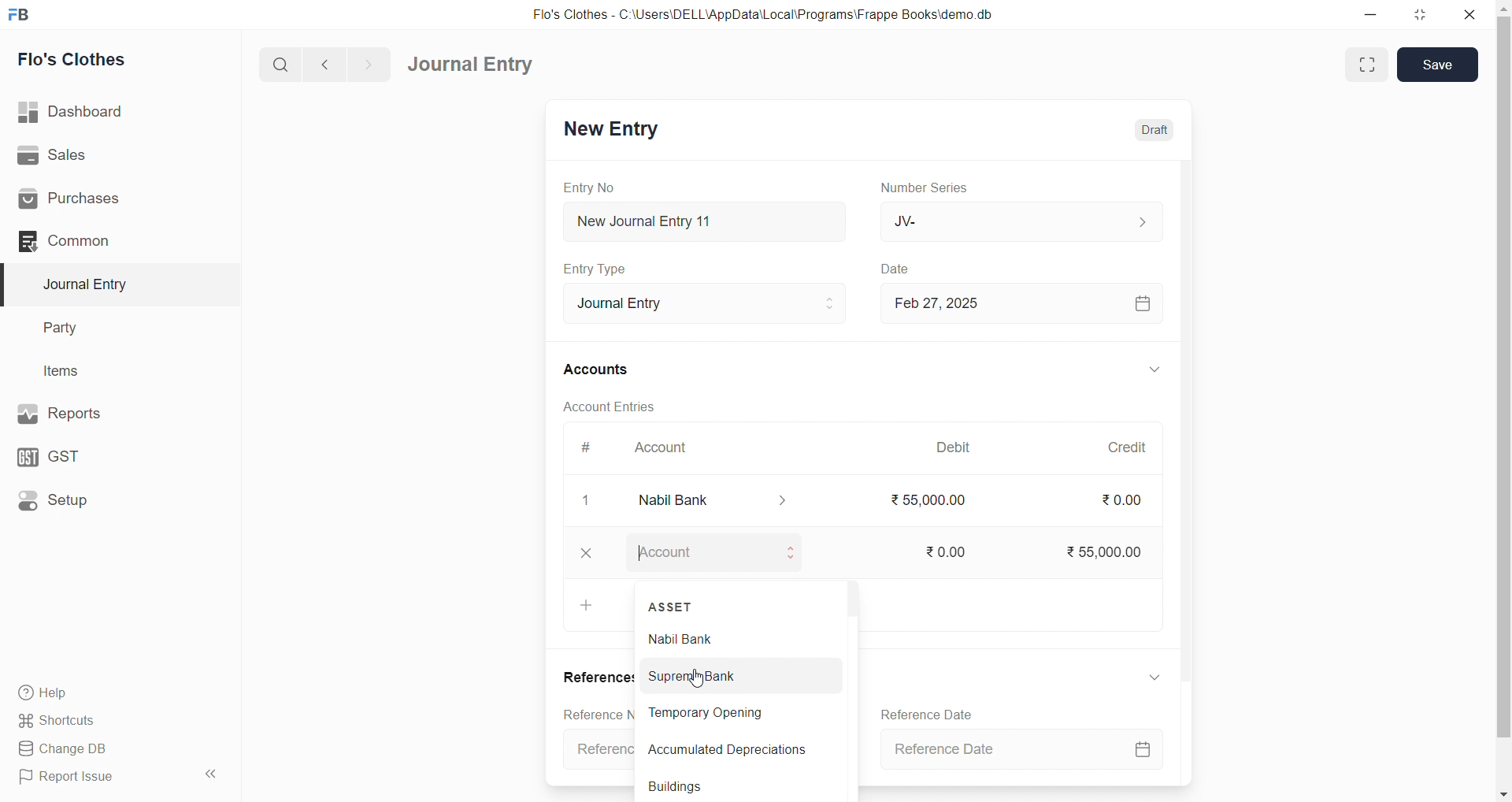 This screenshot has height=802, width=1512. Describe the element at coordinates (1118, 553) in the screenshot. I see `₹55,000.00` at that location.